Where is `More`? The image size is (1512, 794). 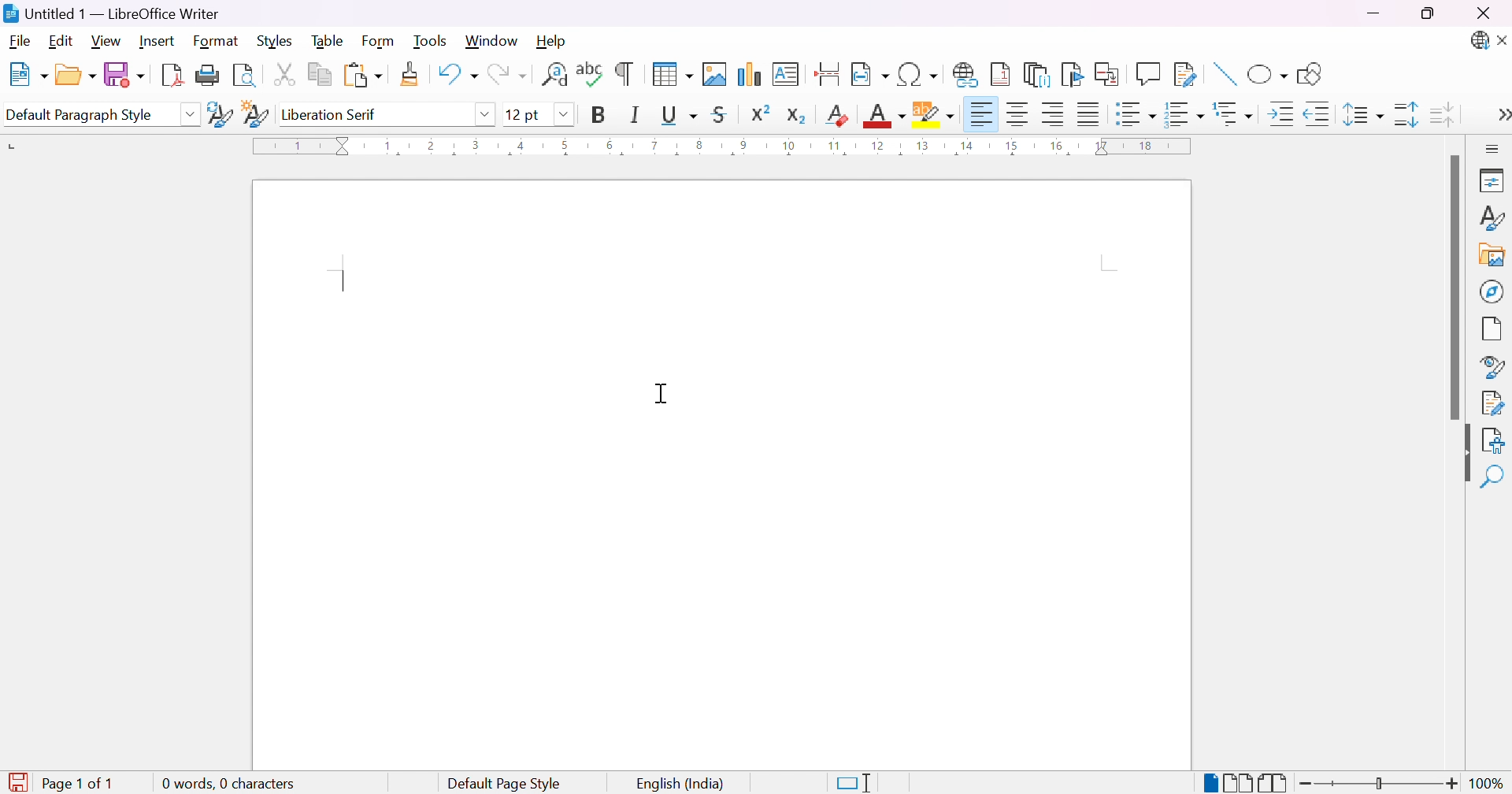 More is located at coordinates (1499, 117).